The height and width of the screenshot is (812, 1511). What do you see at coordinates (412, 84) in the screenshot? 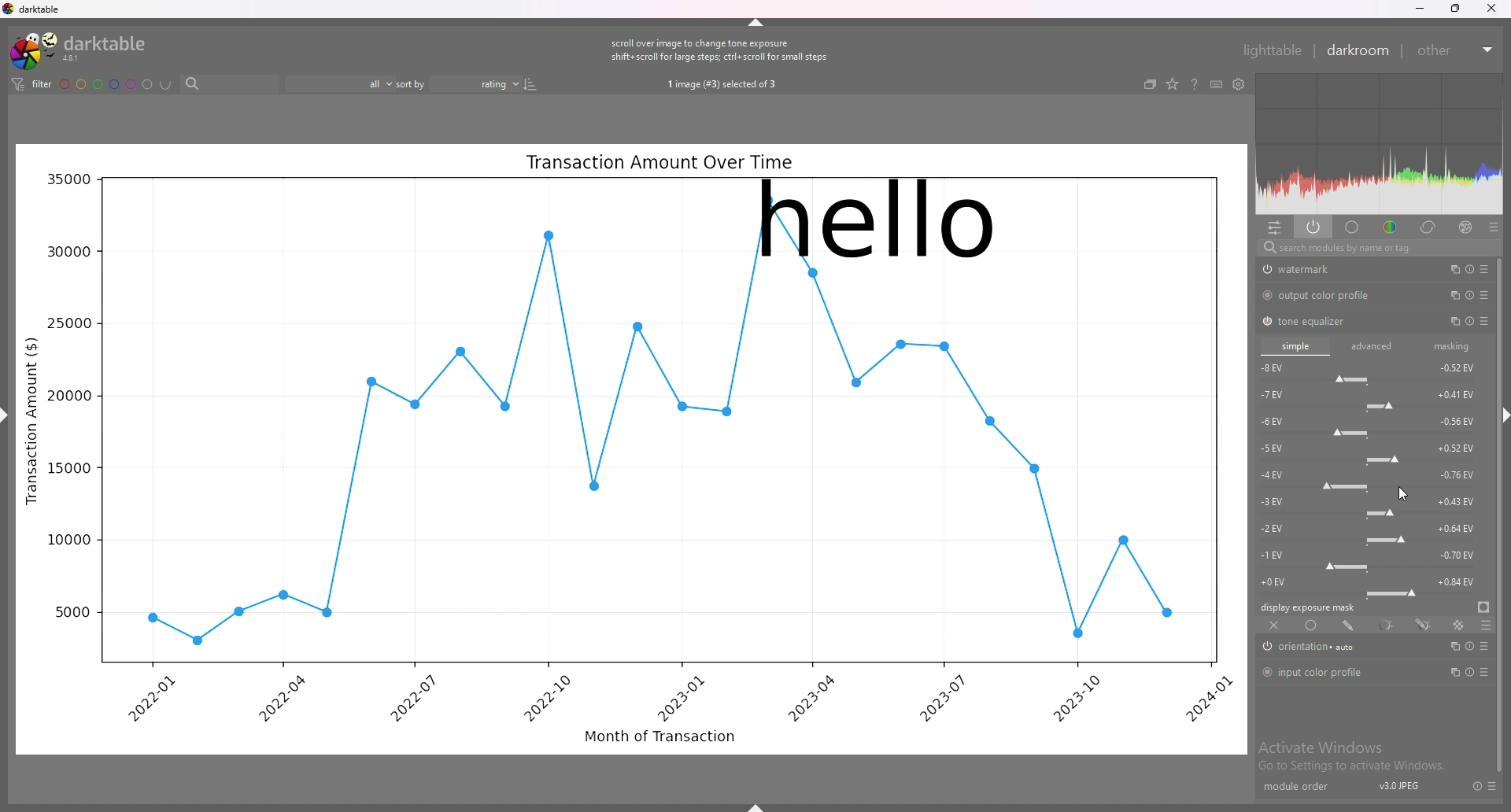
I see `sort by` at bounding box center [412, 84].